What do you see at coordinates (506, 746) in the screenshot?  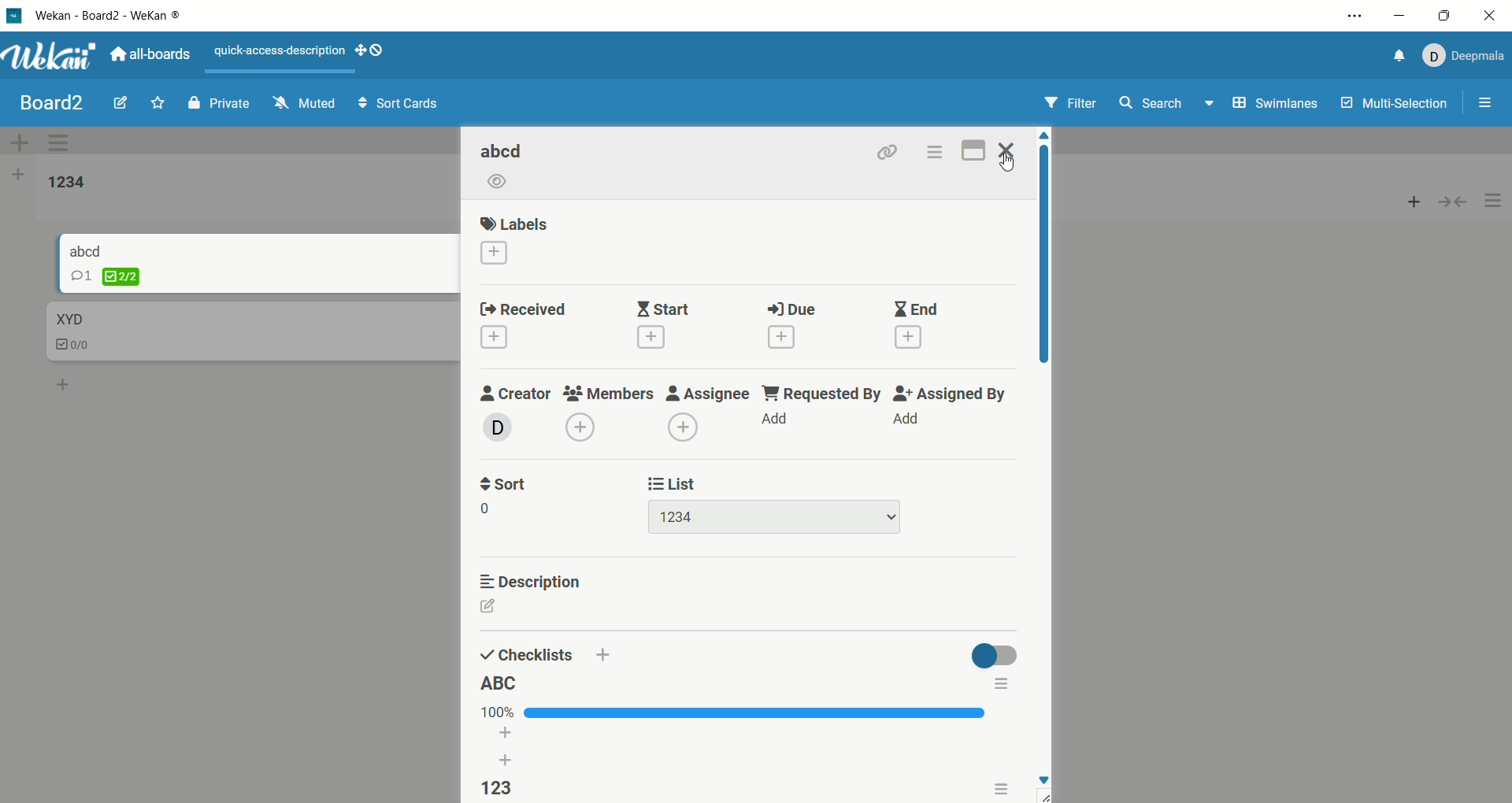 I see `add list` at bounding box center [506, 746].